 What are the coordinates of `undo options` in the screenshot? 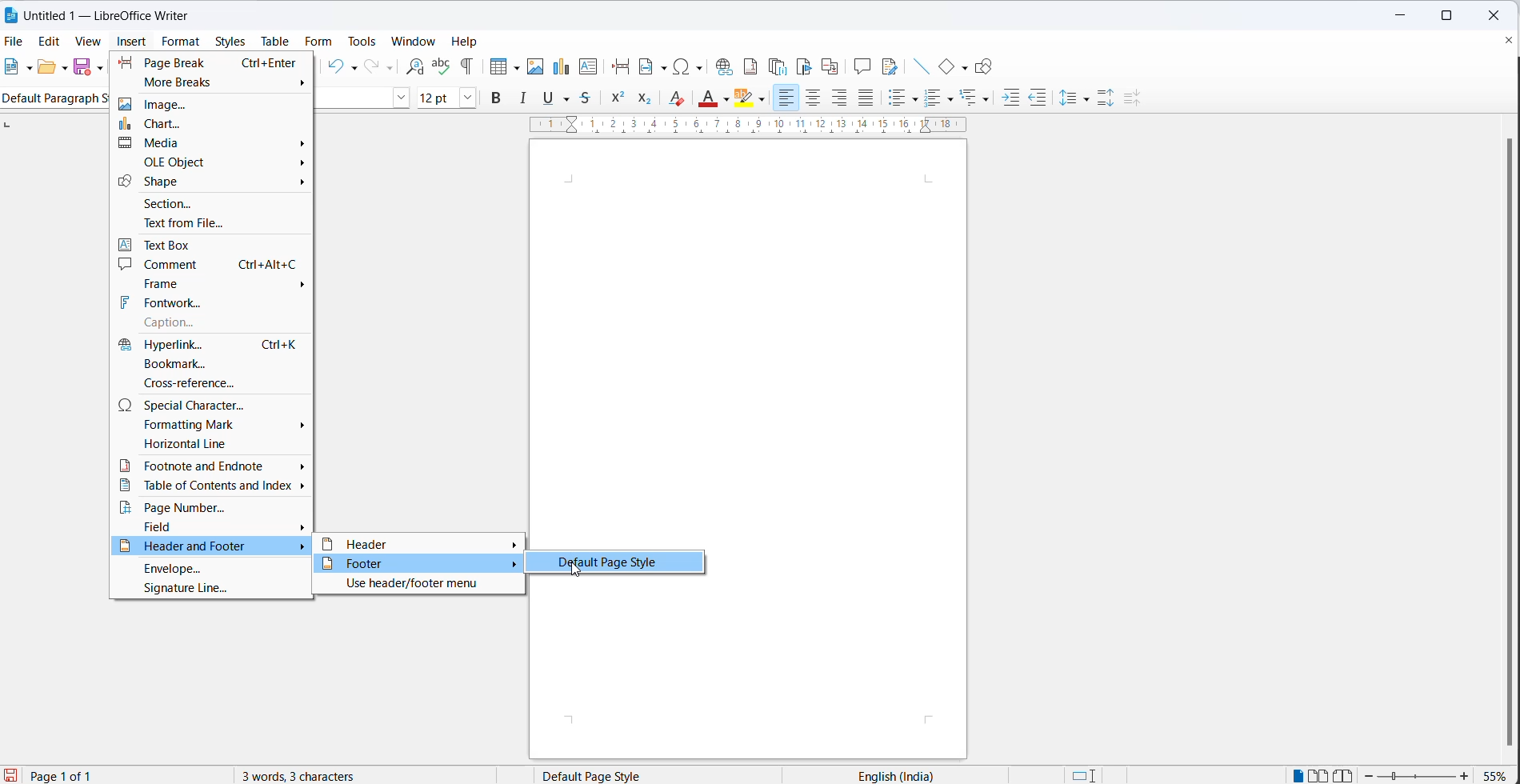 It's located at (352, 67).